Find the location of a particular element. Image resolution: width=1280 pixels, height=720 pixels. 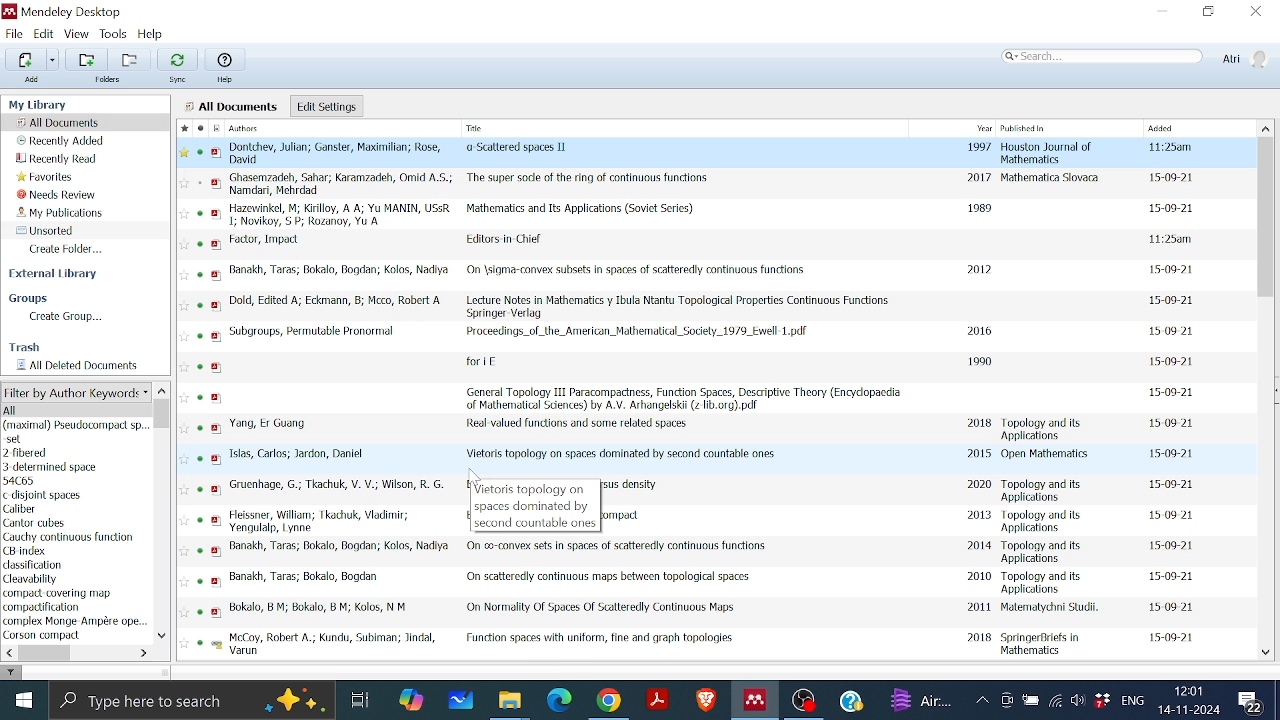

Tools is located at coordinates (114, 34).